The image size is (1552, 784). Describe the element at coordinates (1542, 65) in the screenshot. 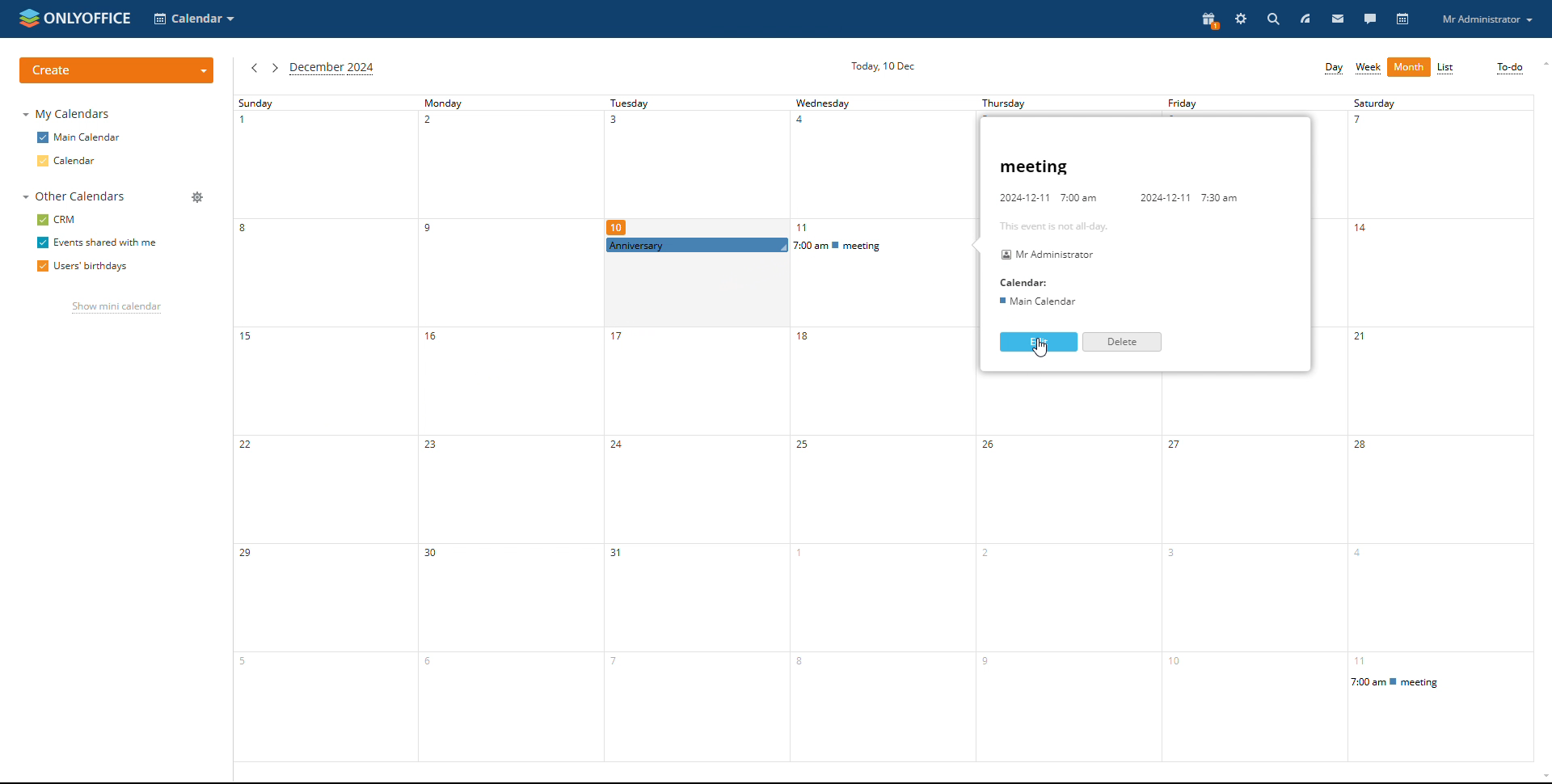

I see `scroll up` at that location.